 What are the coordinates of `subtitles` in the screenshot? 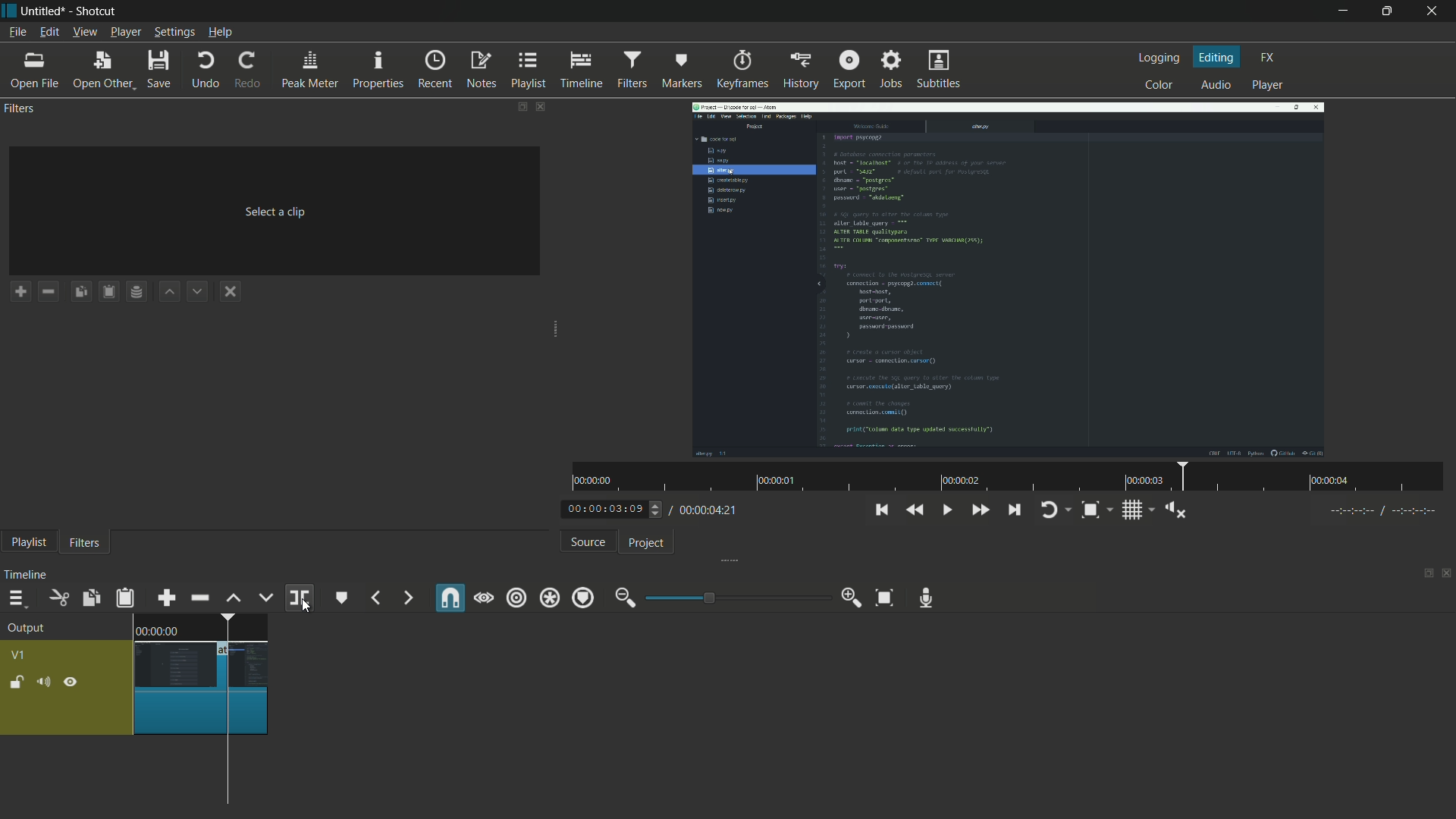 It's located at (939, 69).